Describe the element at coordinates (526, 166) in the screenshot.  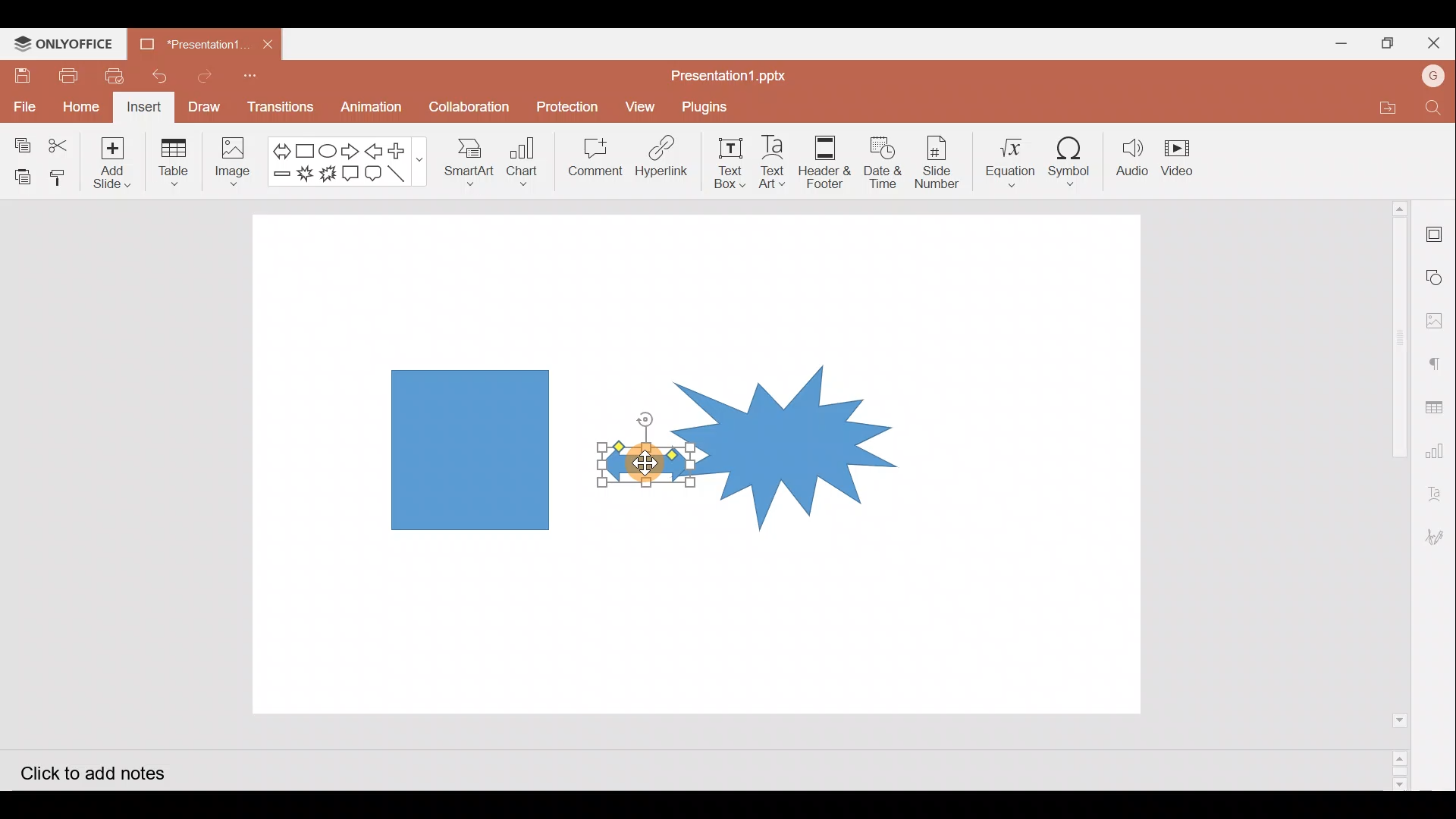
I see `Chart` at that location.